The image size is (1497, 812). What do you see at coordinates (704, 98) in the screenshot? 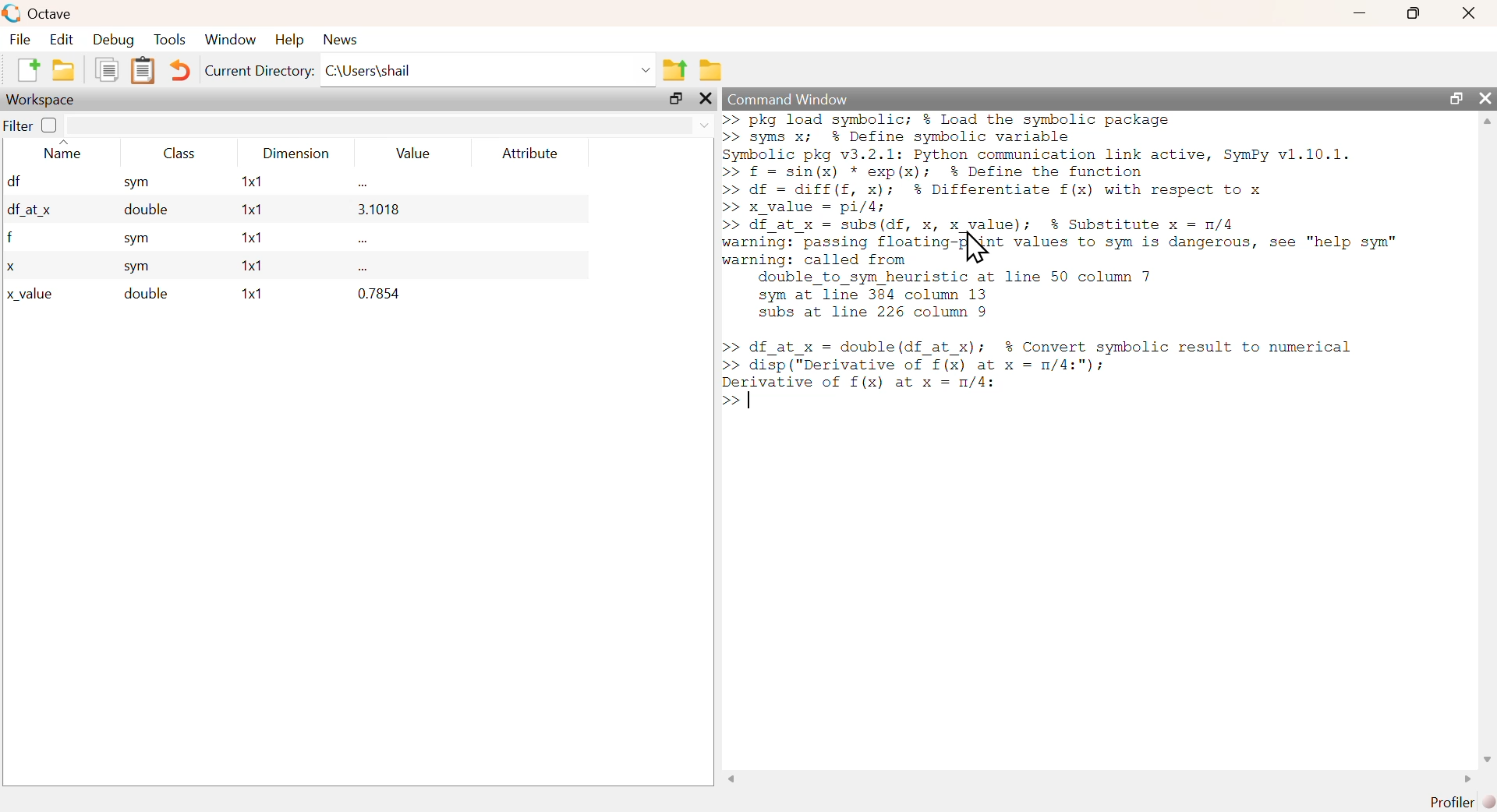
I see `close` at bounding box center [704, 98].